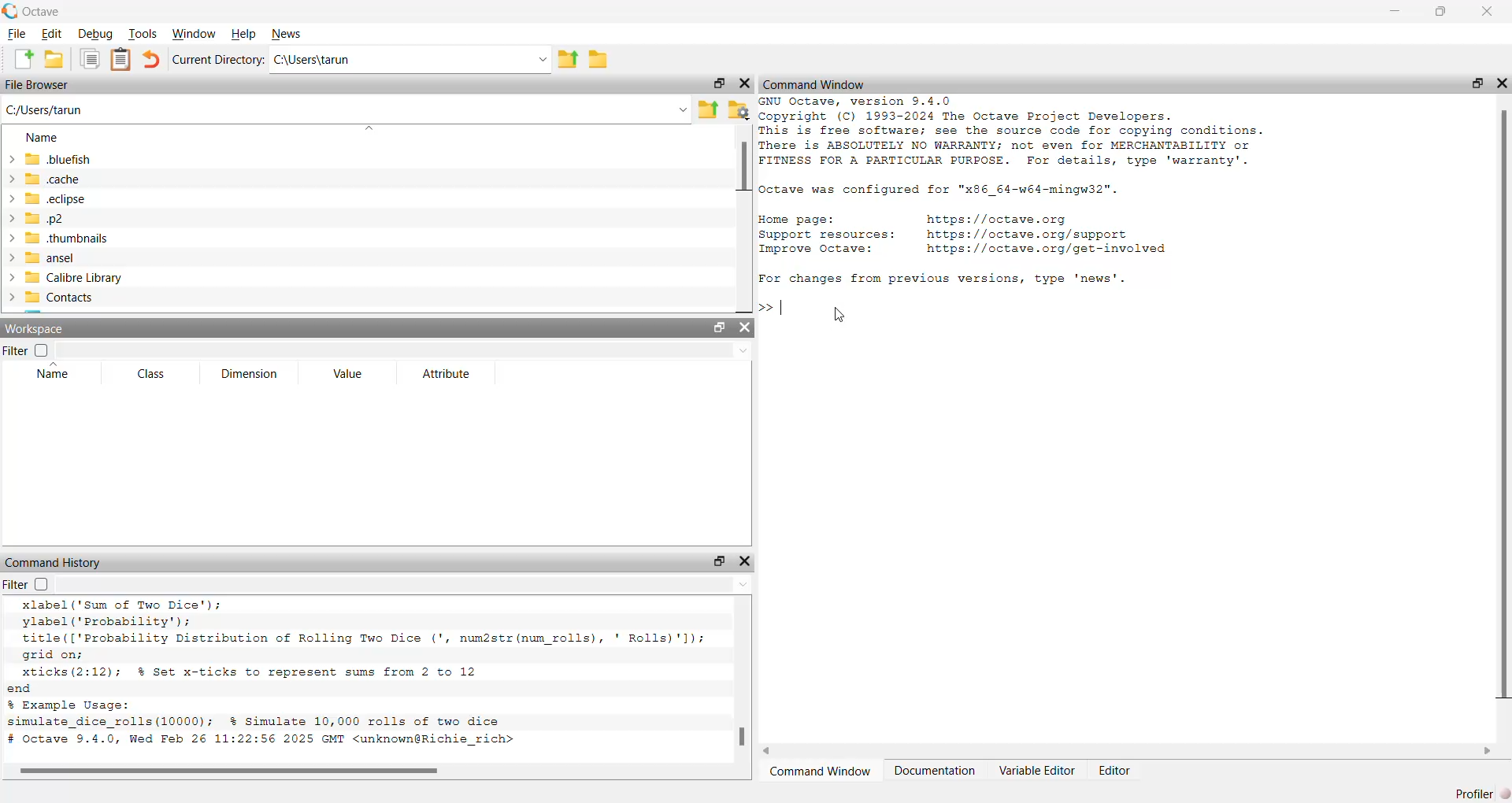  Describe the element at coordinates (720, 328) in the screenshot. I see `Maximize` at that location.